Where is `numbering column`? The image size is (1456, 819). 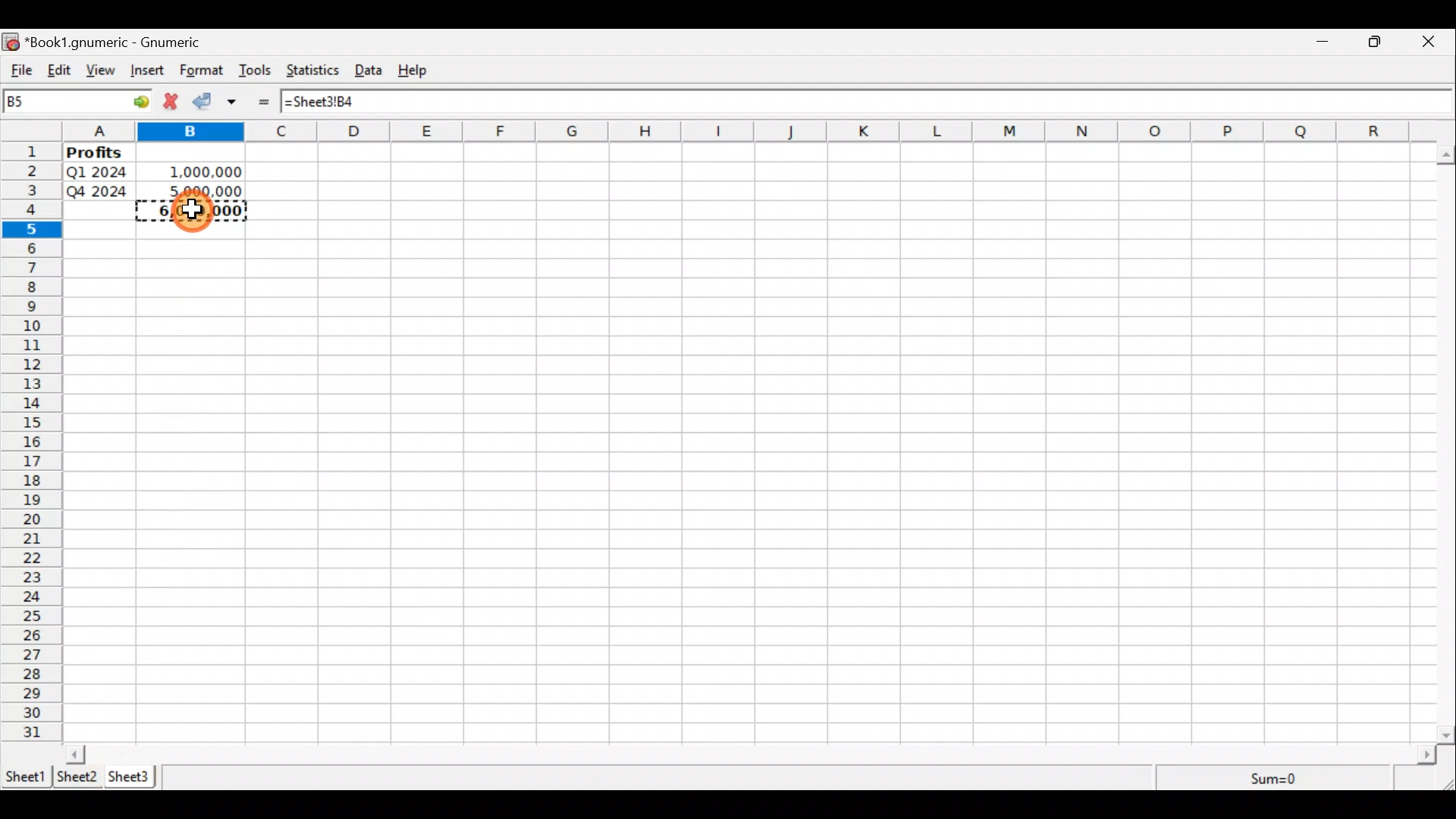
numbering column is located at coordinates (30, 444).